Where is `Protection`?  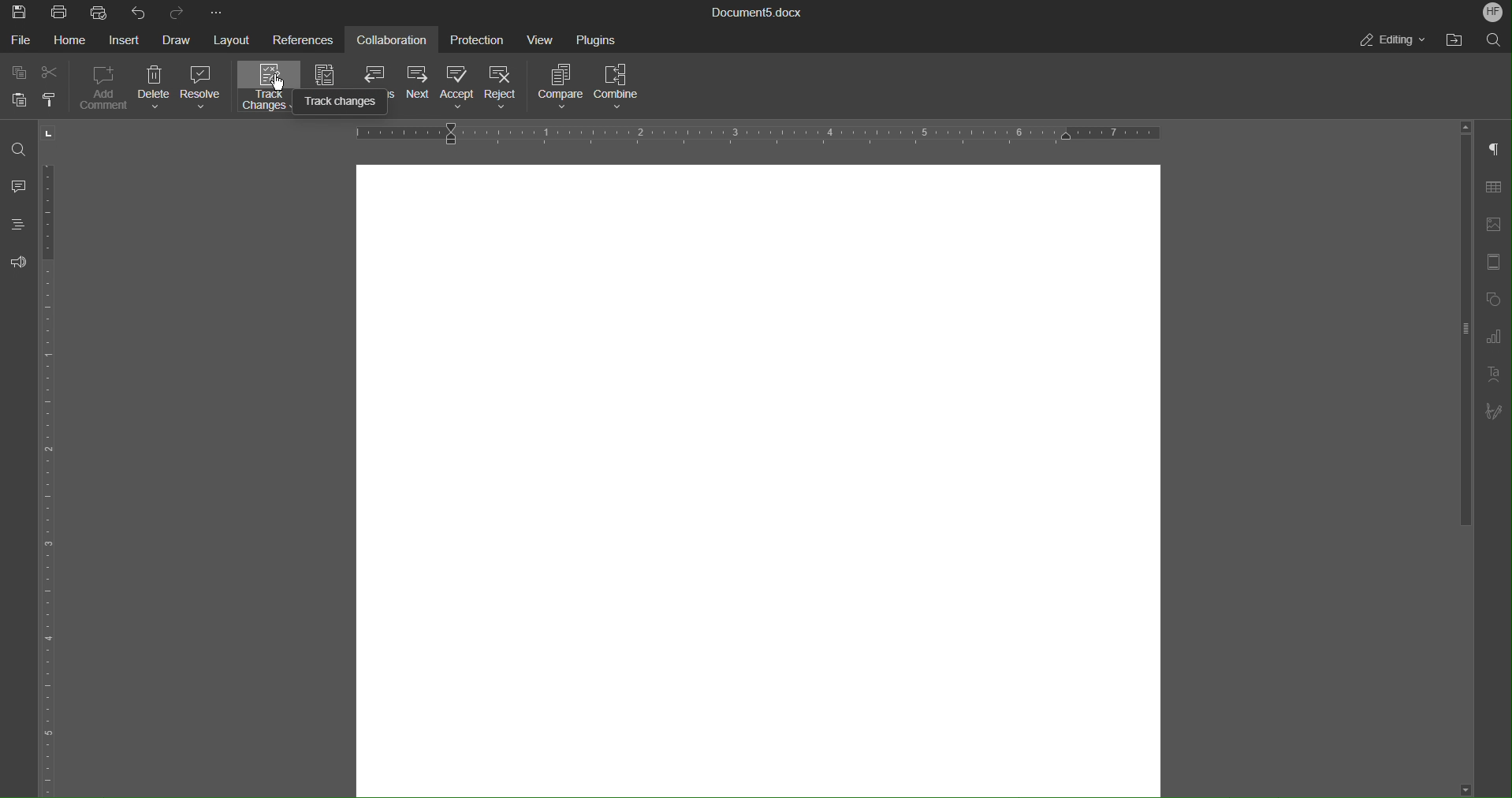 Protection is located at coordinates (479, 40).